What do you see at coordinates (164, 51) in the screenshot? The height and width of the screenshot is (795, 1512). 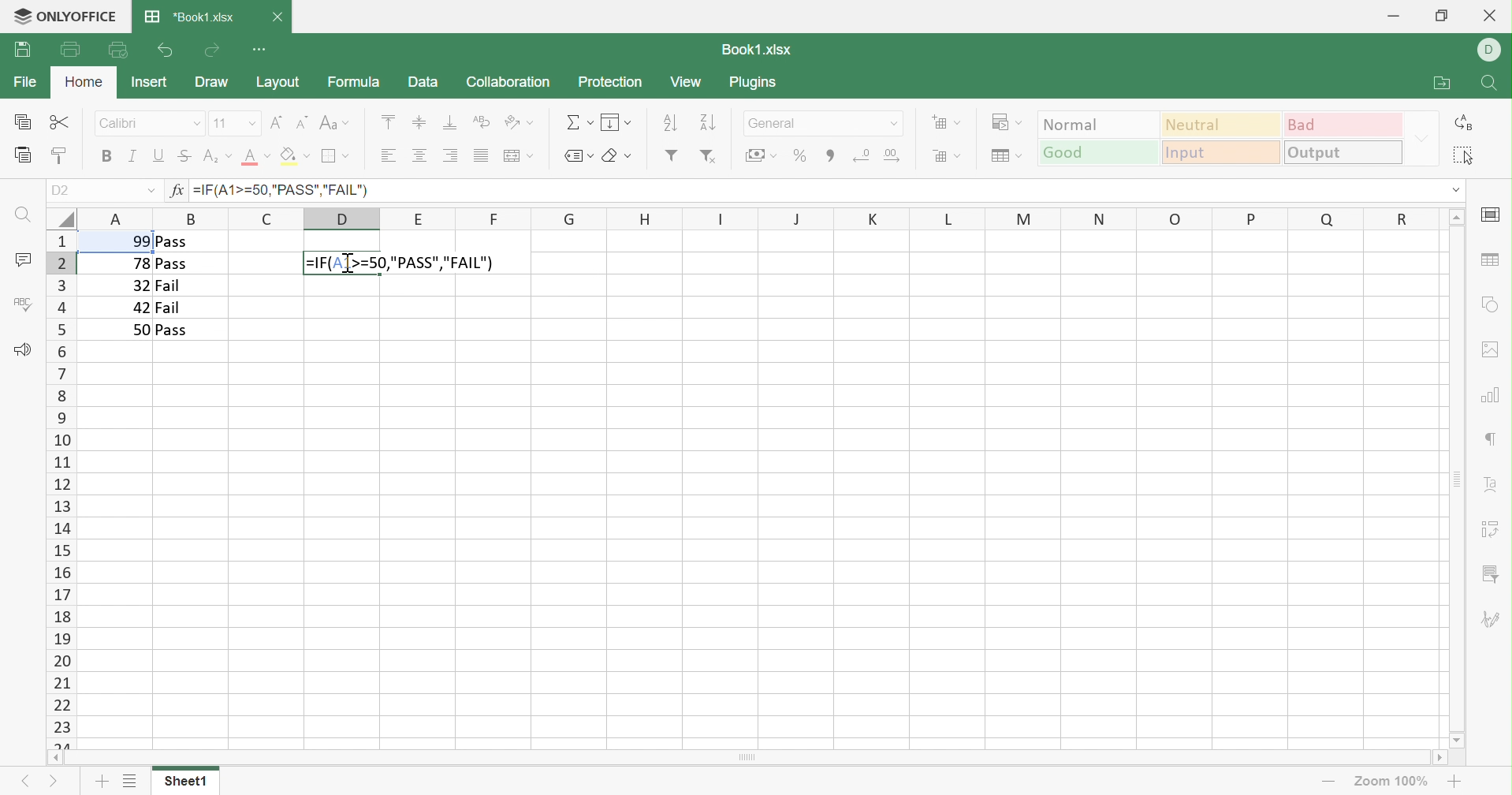 I see `Undo` at bounding box center [164, 51].